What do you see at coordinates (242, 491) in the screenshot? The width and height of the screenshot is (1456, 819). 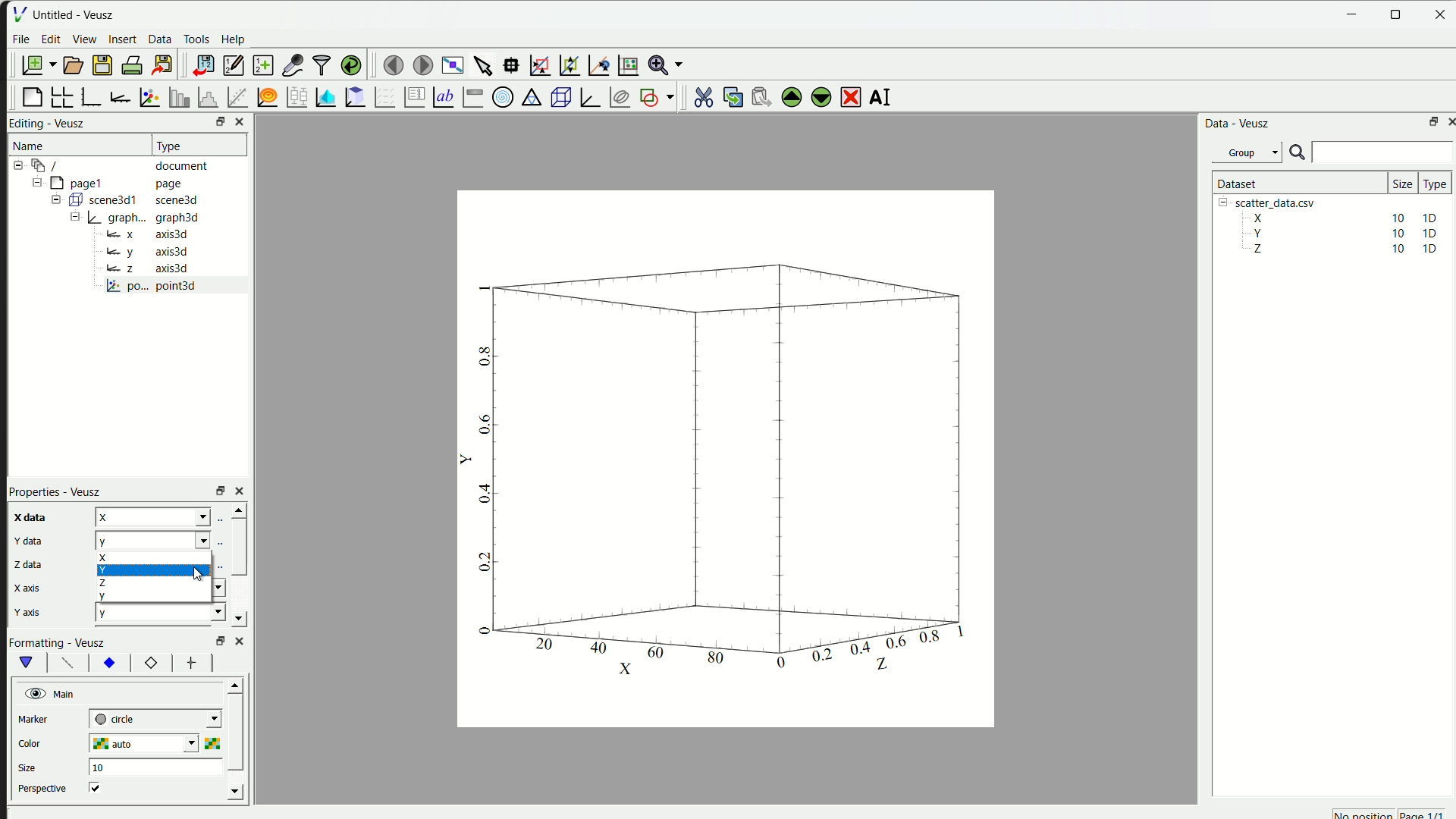 I see `close` at bounding box center [242, 491].